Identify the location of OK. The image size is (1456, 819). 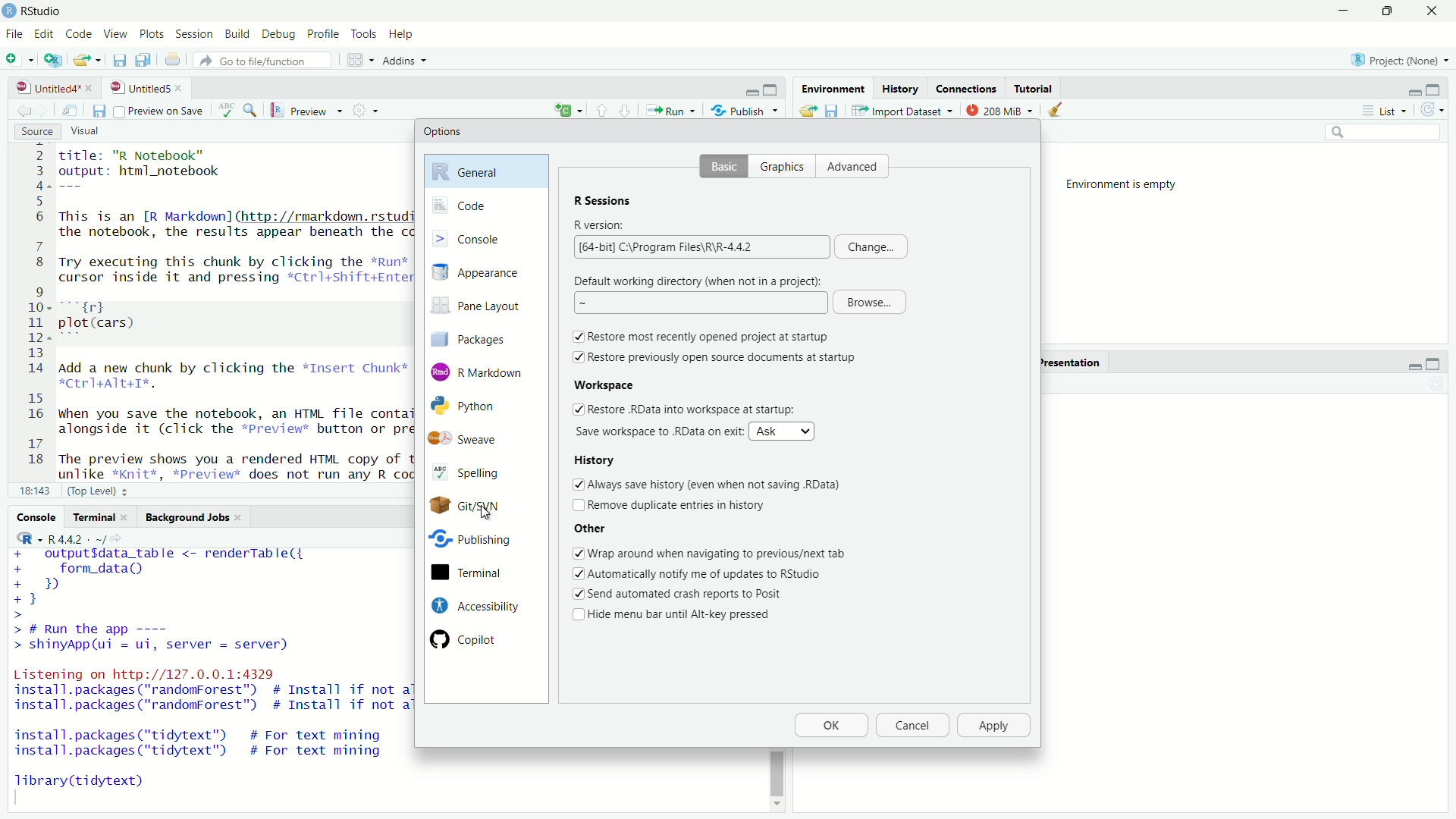
(830, 726).